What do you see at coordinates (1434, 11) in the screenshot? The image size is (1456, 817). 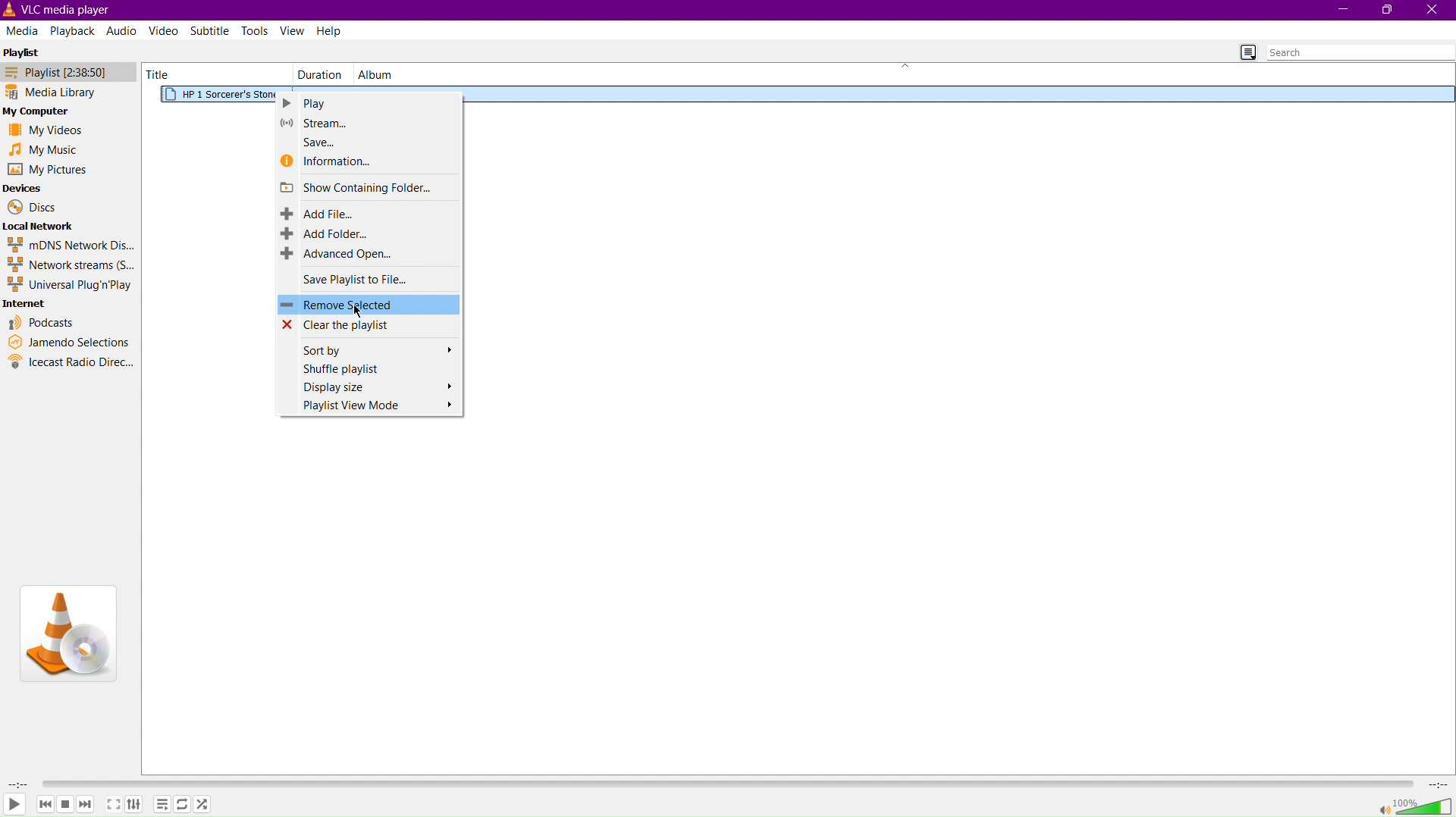 I see `Close` at bounding box center [1434, 11].